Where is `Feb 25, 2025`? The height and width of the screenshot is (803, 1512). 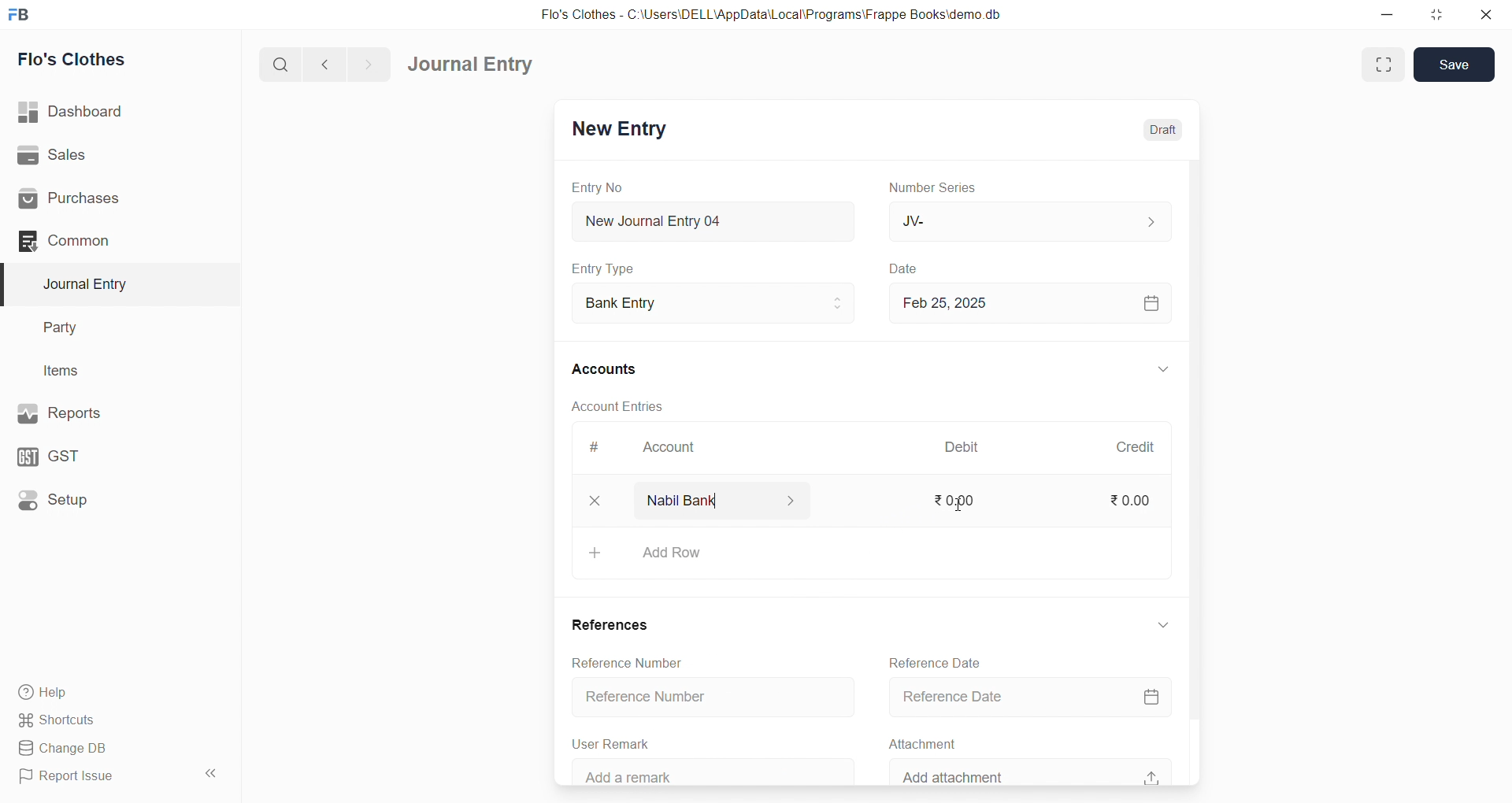
Feb 25, 2025 is located at coordinates (1027, 302).